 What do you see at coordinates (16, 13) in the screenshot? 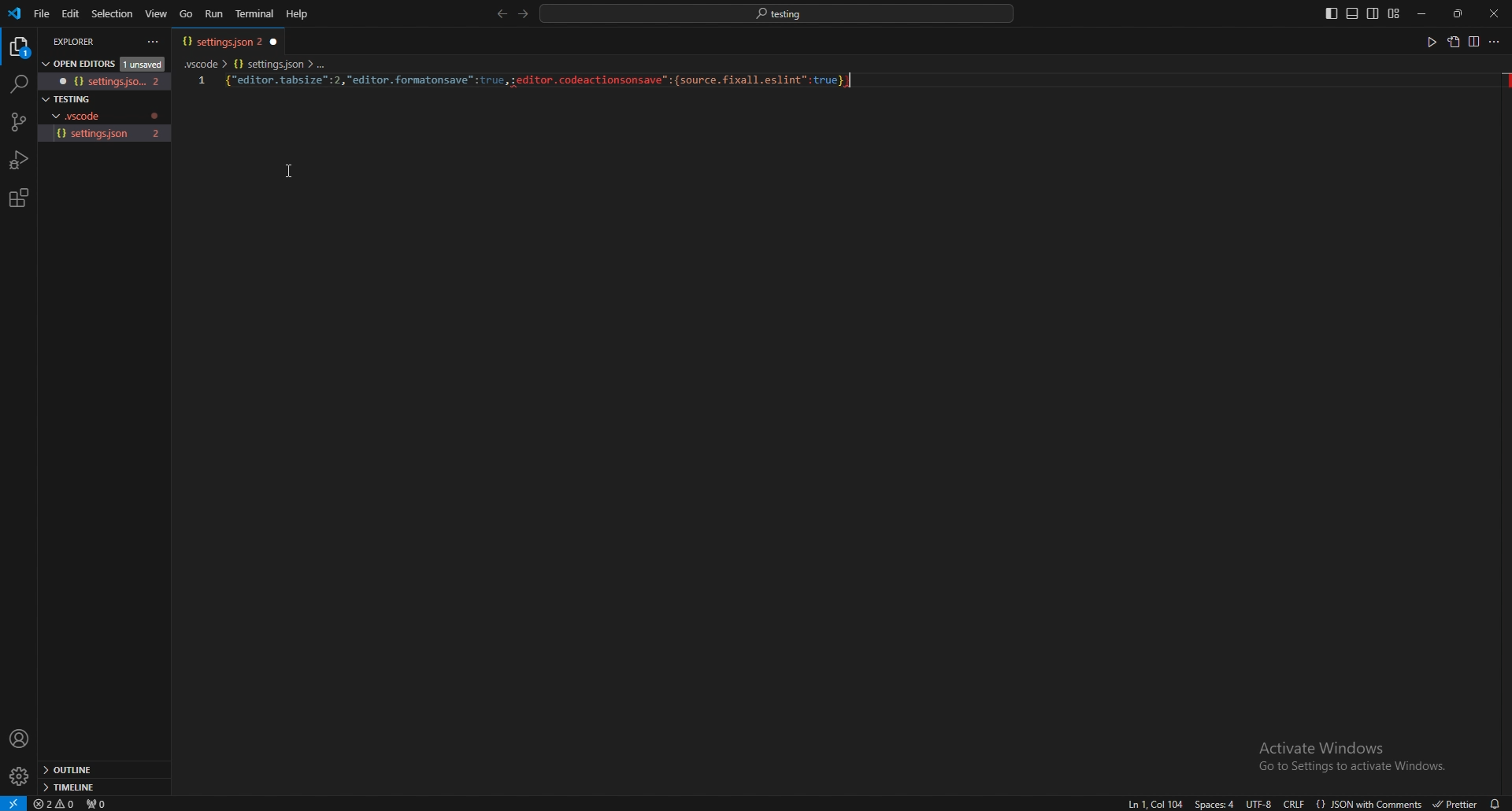
I see `vscode` at bounding box center [16, 13].